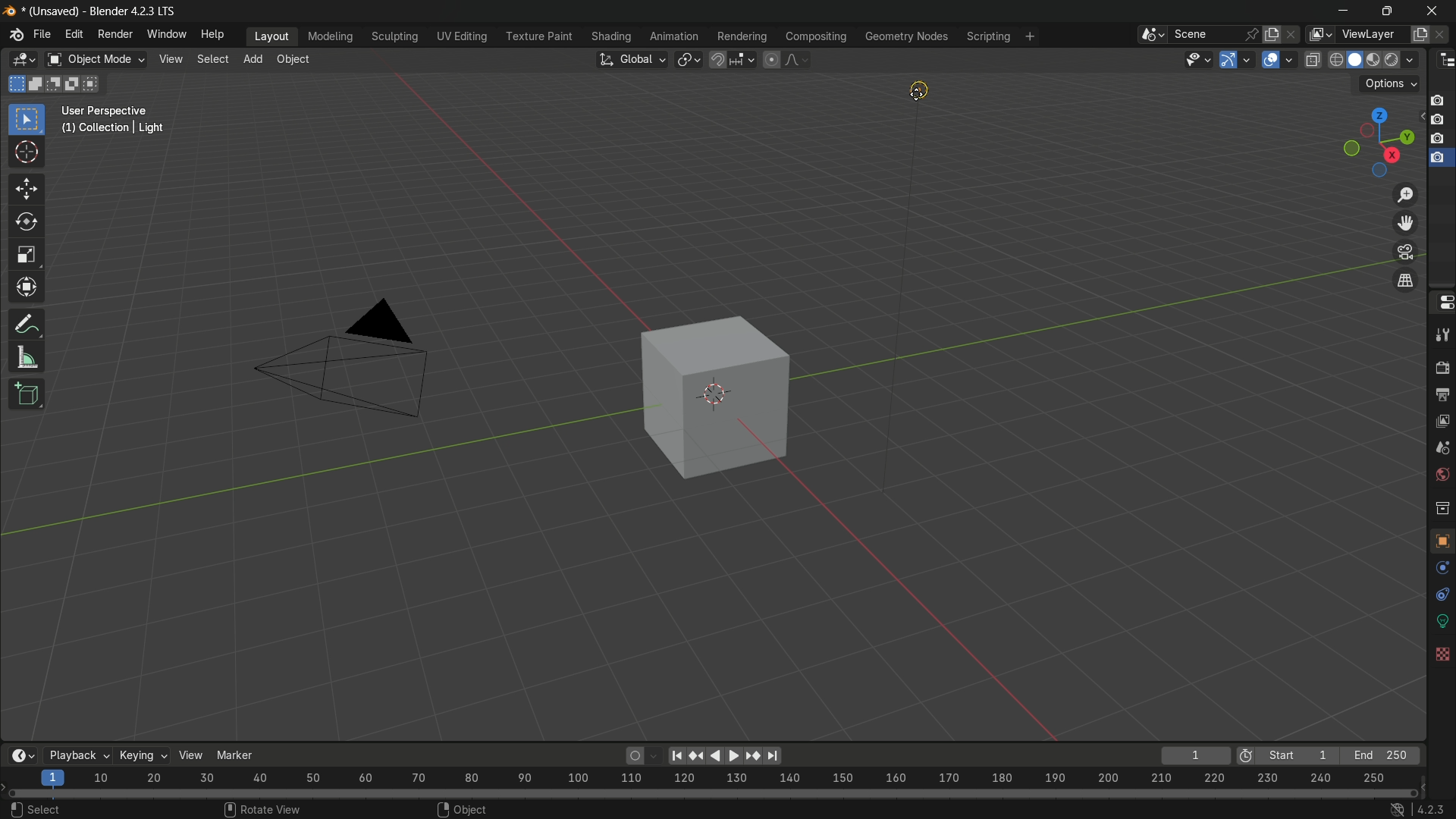  I want to click on 4.2.3 lts, so click(1415, 808).